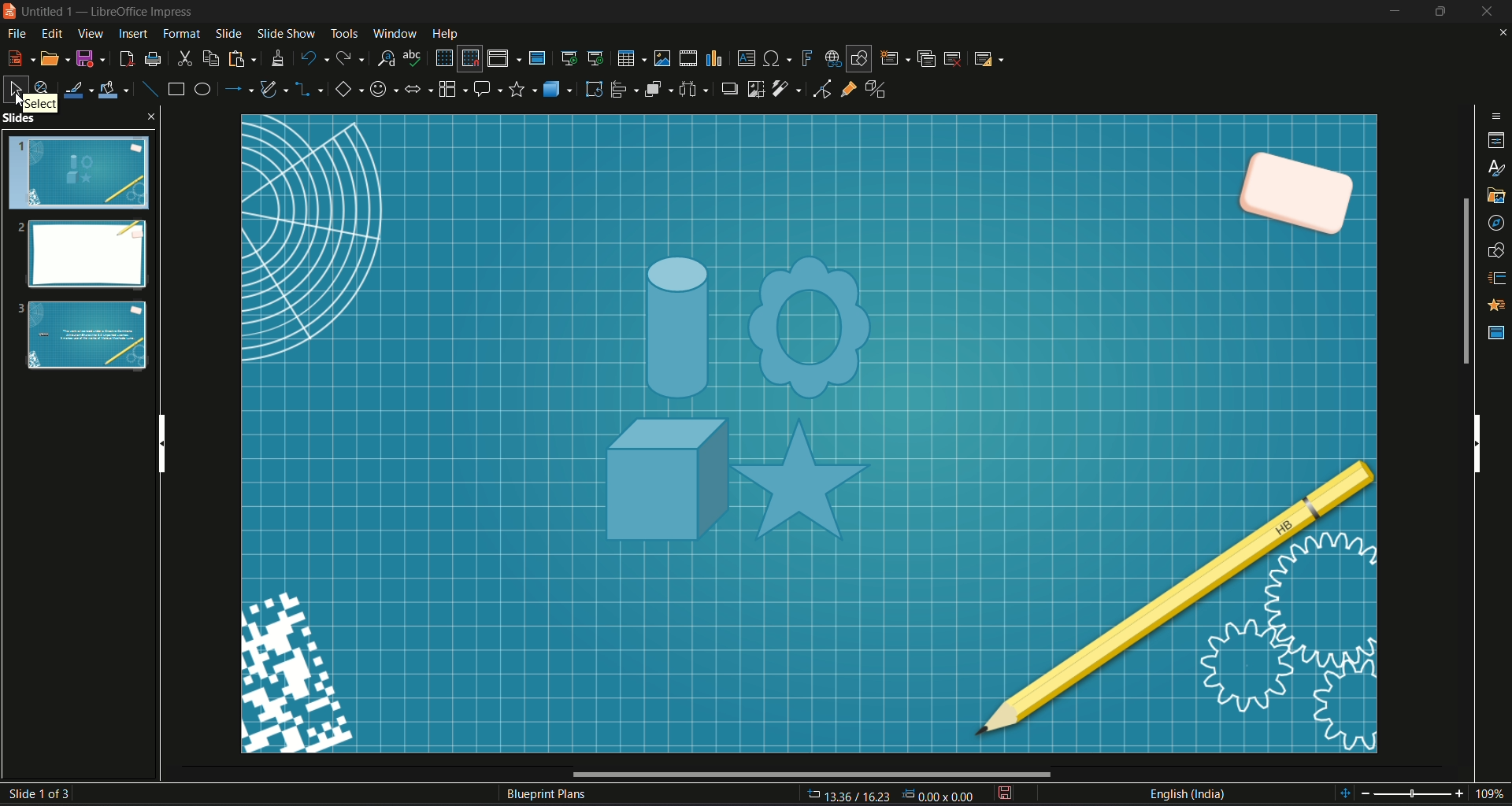 Image resolution: width=1512 pixels, height=806 pixels. What do you see at coordinates (1004, 794) in the screenshot?
I see `save` at bounding box center [1004, 794].